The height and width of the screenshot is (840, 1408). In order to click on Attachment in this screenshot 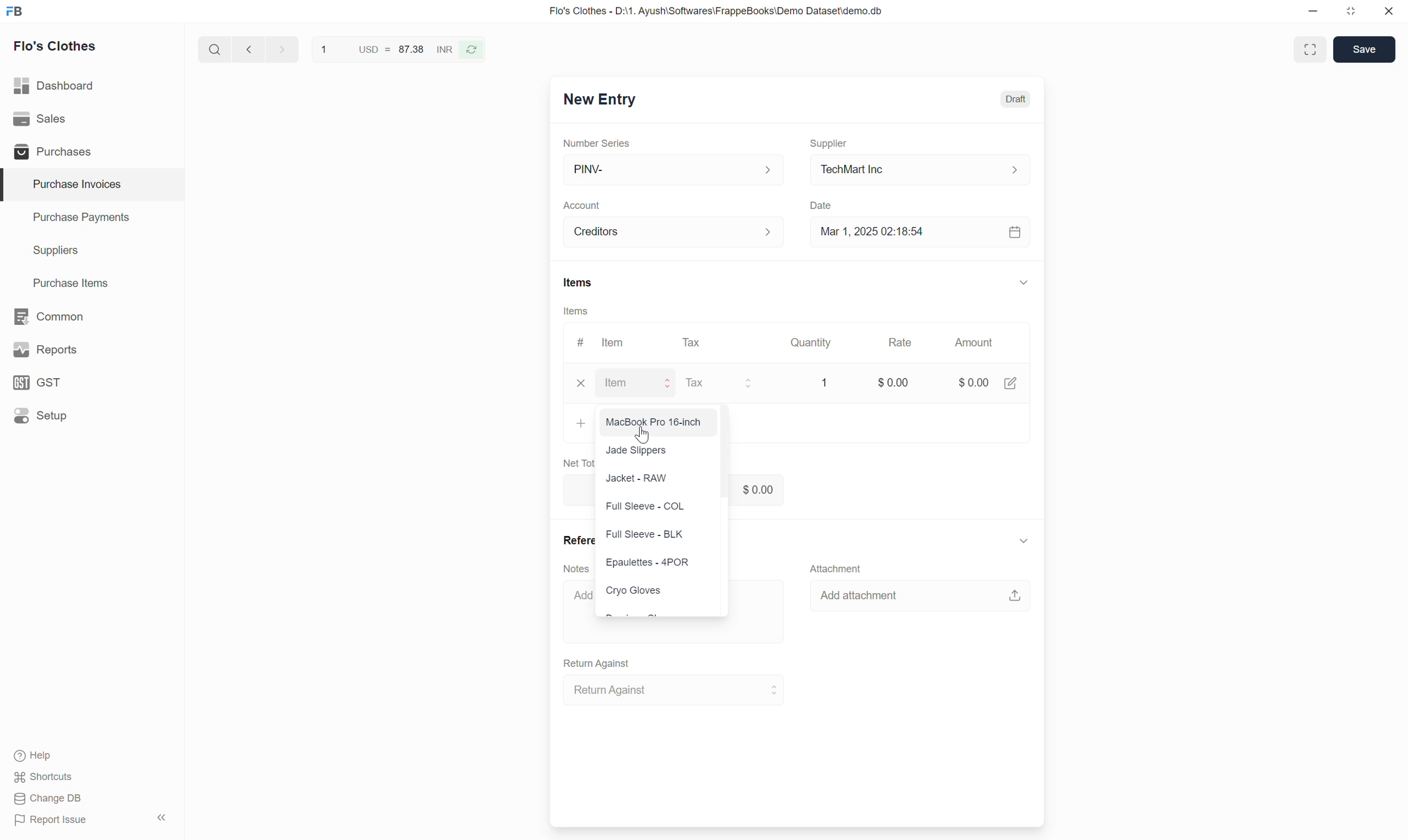, I will do `click(836, 568)`.